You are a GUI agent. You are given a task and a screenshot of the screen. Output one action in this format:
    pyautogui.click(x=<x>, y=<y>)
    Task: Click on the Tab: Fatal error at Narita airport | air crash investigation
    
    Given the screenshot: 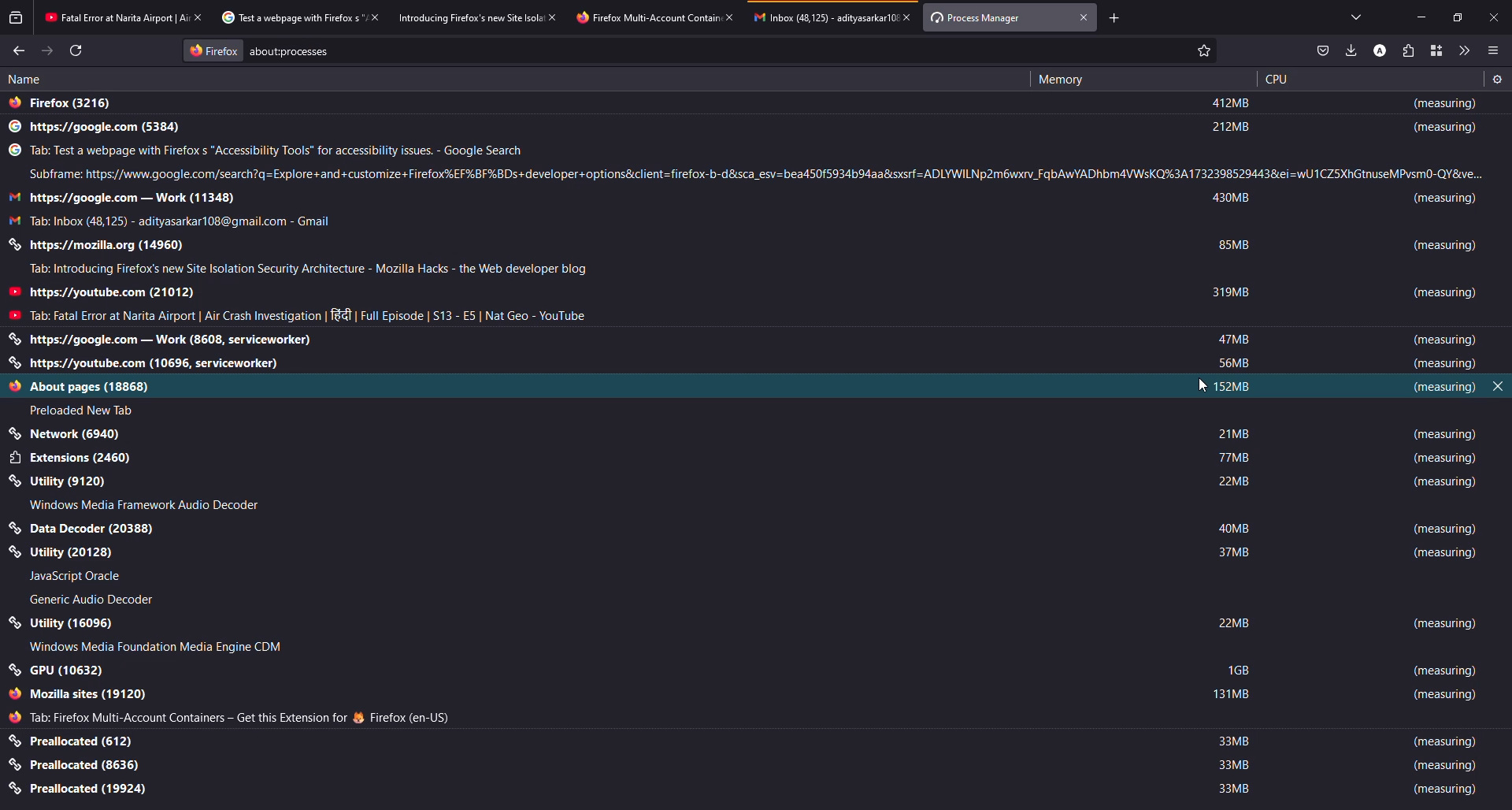 What is the action you would take?
    pyautogui.click(x=295, y=314)
    